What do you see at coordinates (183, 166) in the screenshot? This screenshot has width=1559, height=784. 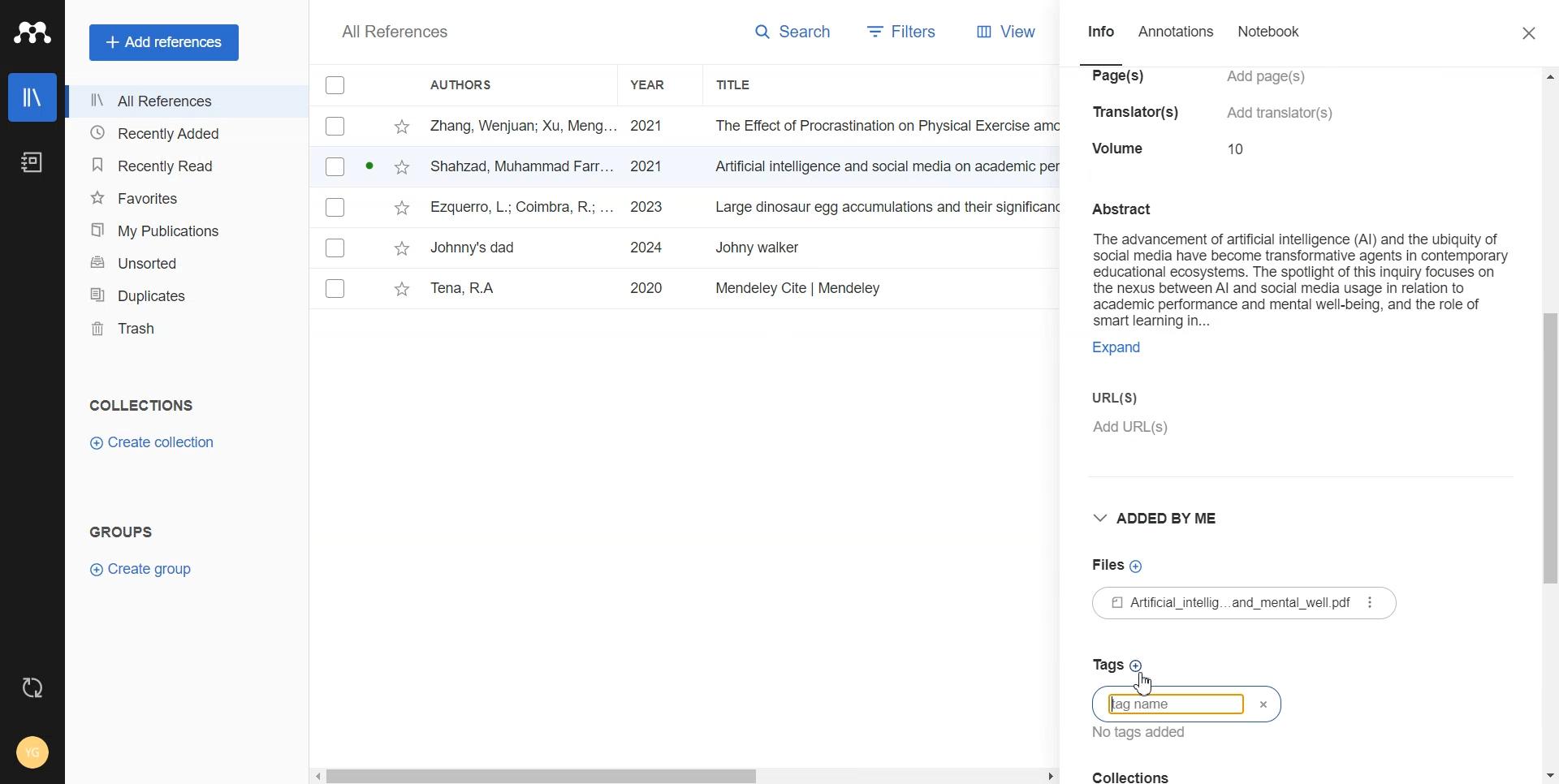 I see `Recently Read` at bounding box center [183, 166].